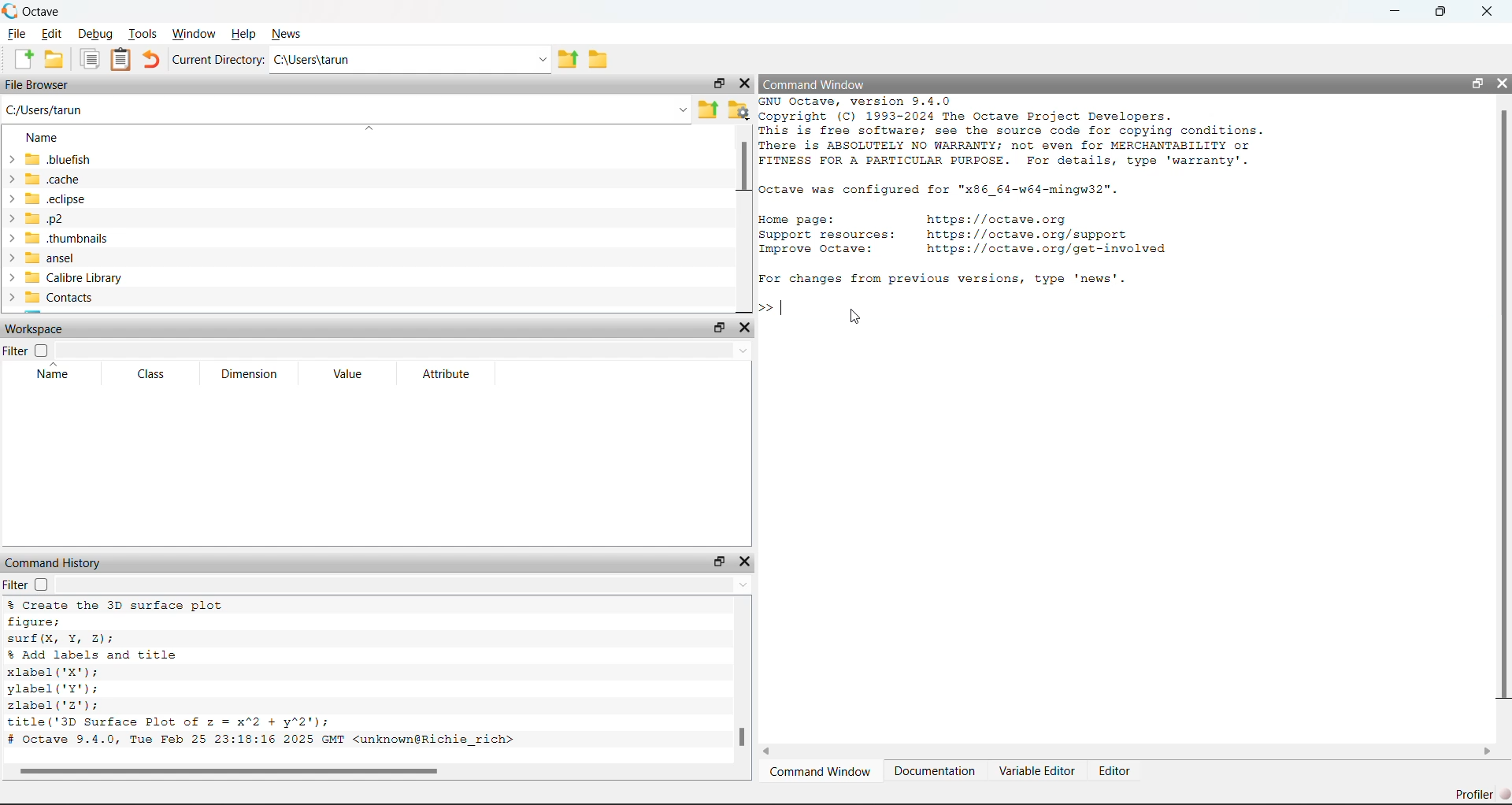 This screenshot has width=1512, height=805. I want to click on Restore Down, so click(718, 83).